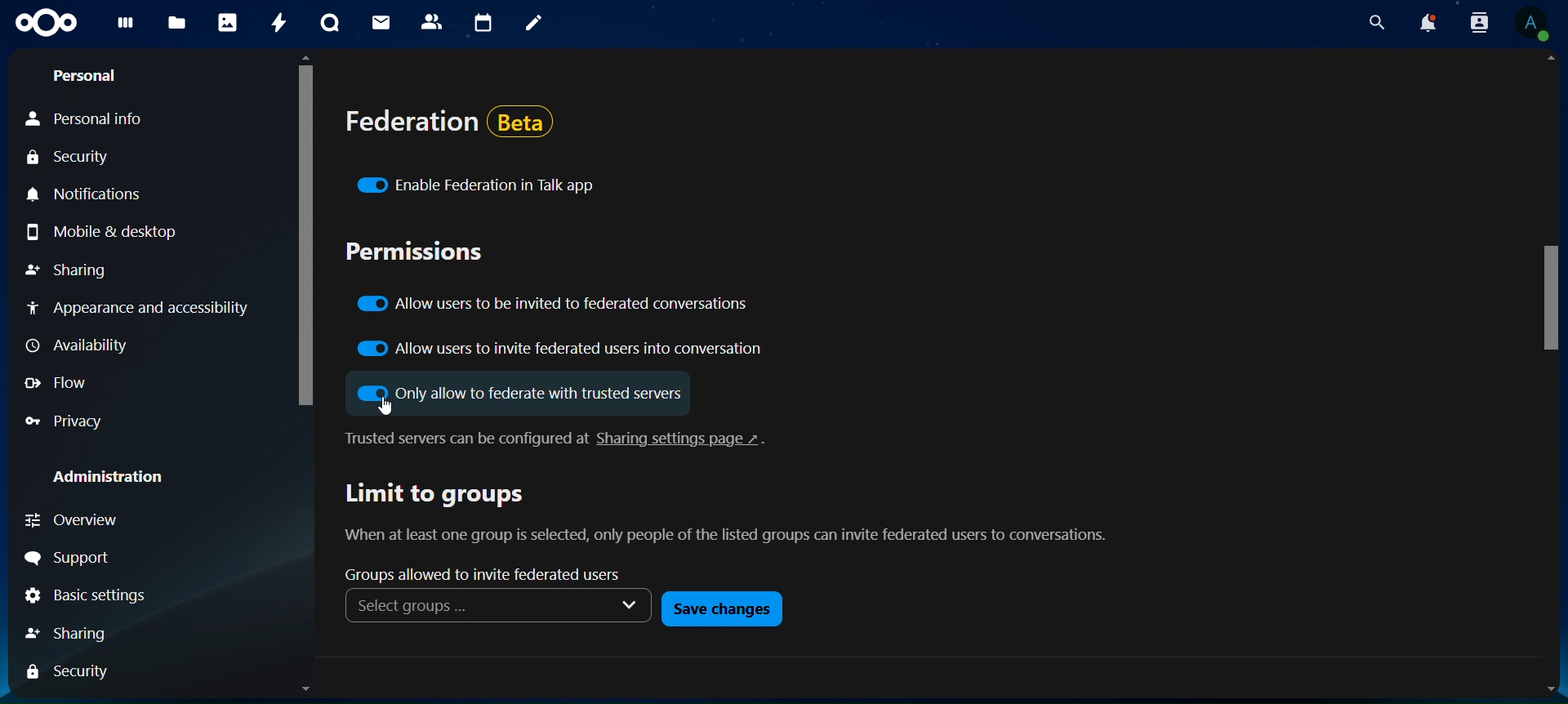 Image resolution: width=1568 pixels, height=704 pixels. What do you see at coordinates (95, 196) in the screenshot?
I see `notifications` at bounding box center [95, 196].